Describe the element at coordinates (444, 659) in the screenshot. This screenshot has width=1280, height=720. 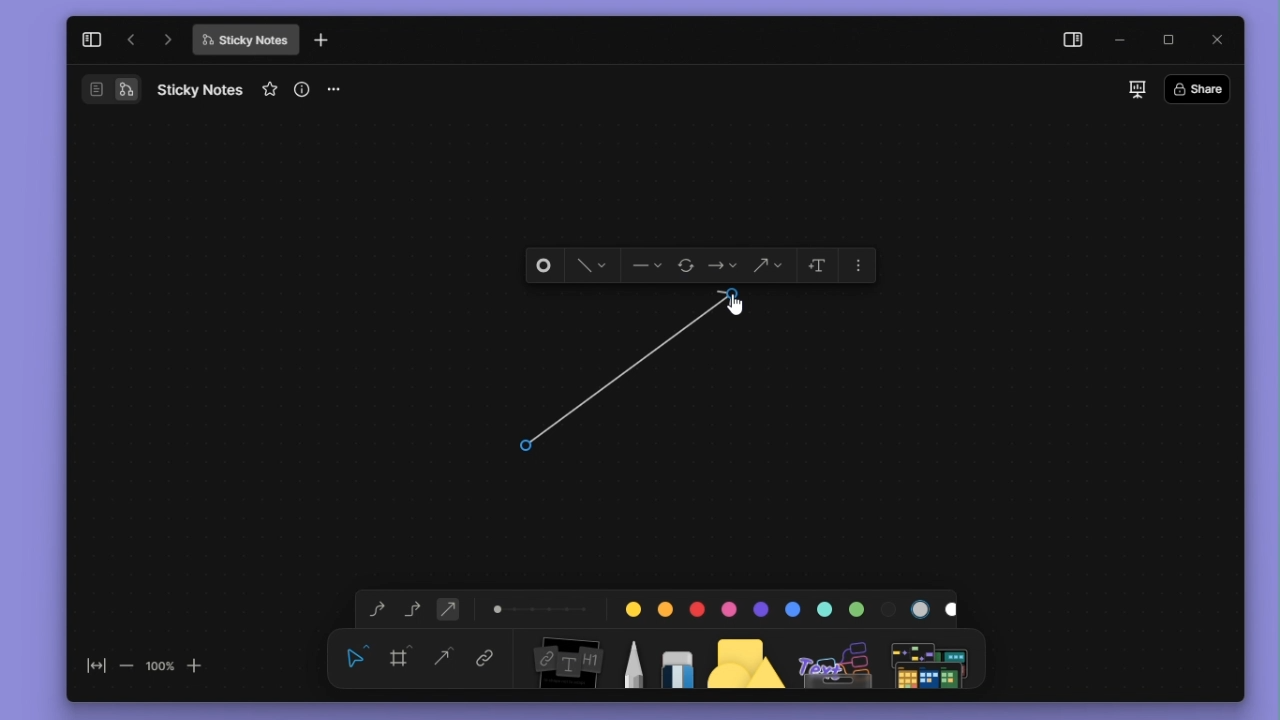
I see `straight` at that location.